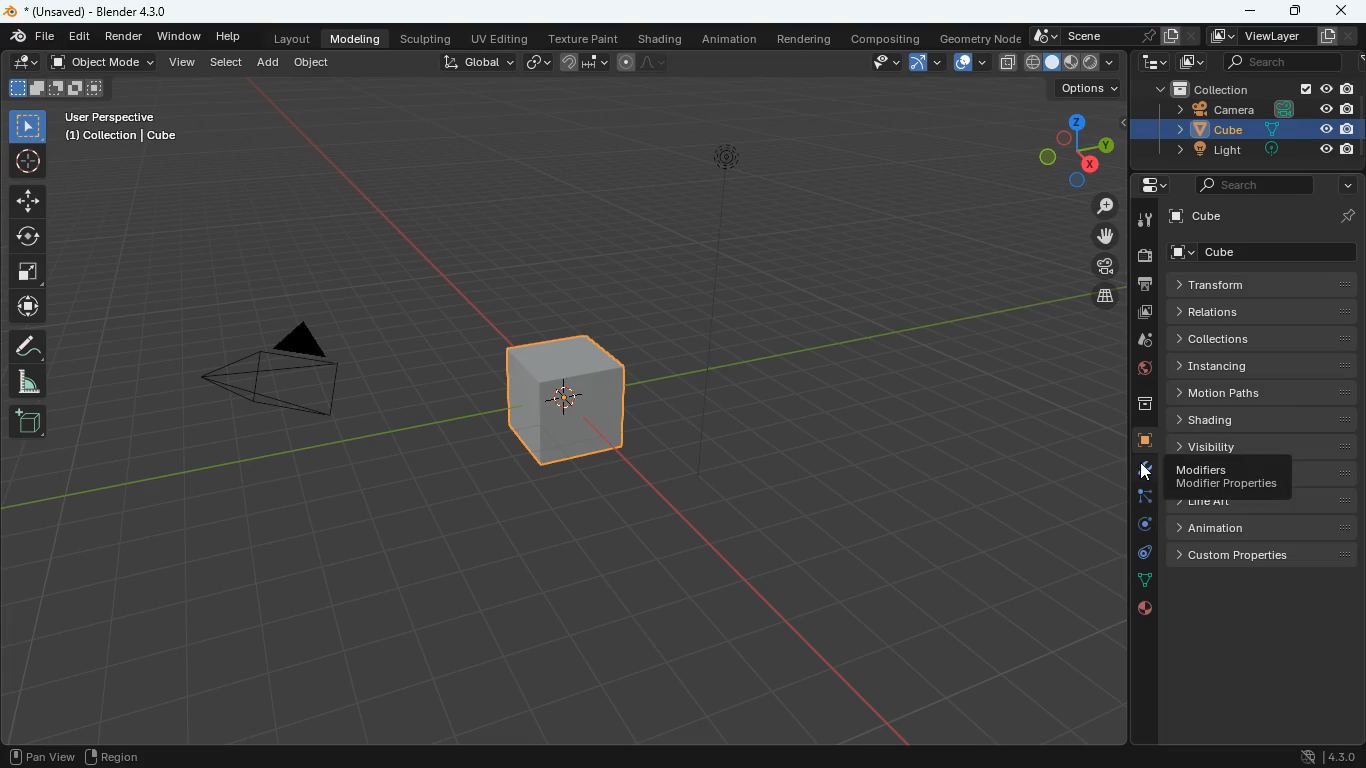 This screenshot has width=1366, height=768. What do you see at coordinates (1263, 555) in the screenshot?
I see `custom properties` at bounding box center [1263, 555].